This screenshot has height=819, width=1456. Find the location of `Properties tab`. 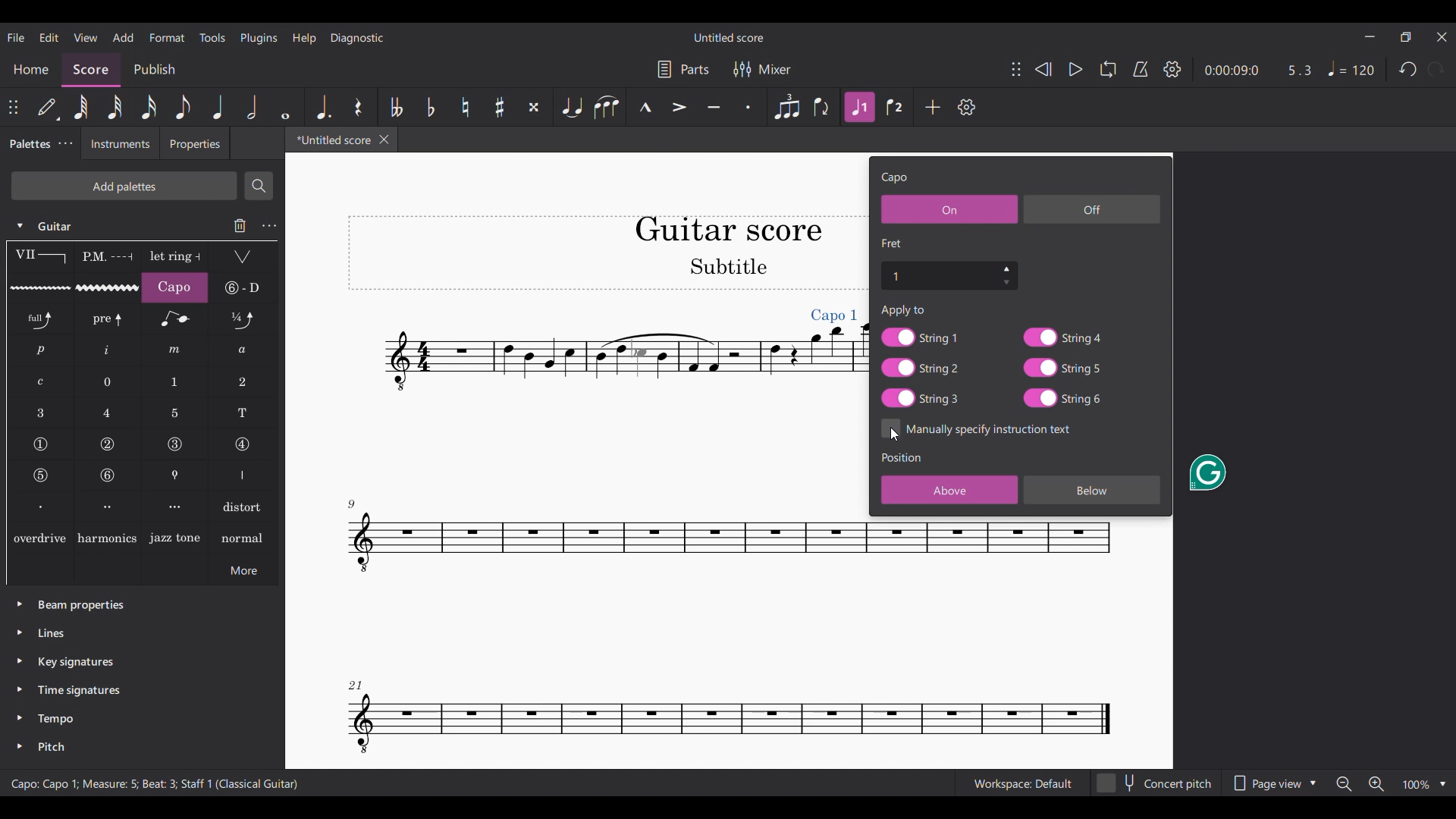

Properties tab is located at coordinates (195, 143).